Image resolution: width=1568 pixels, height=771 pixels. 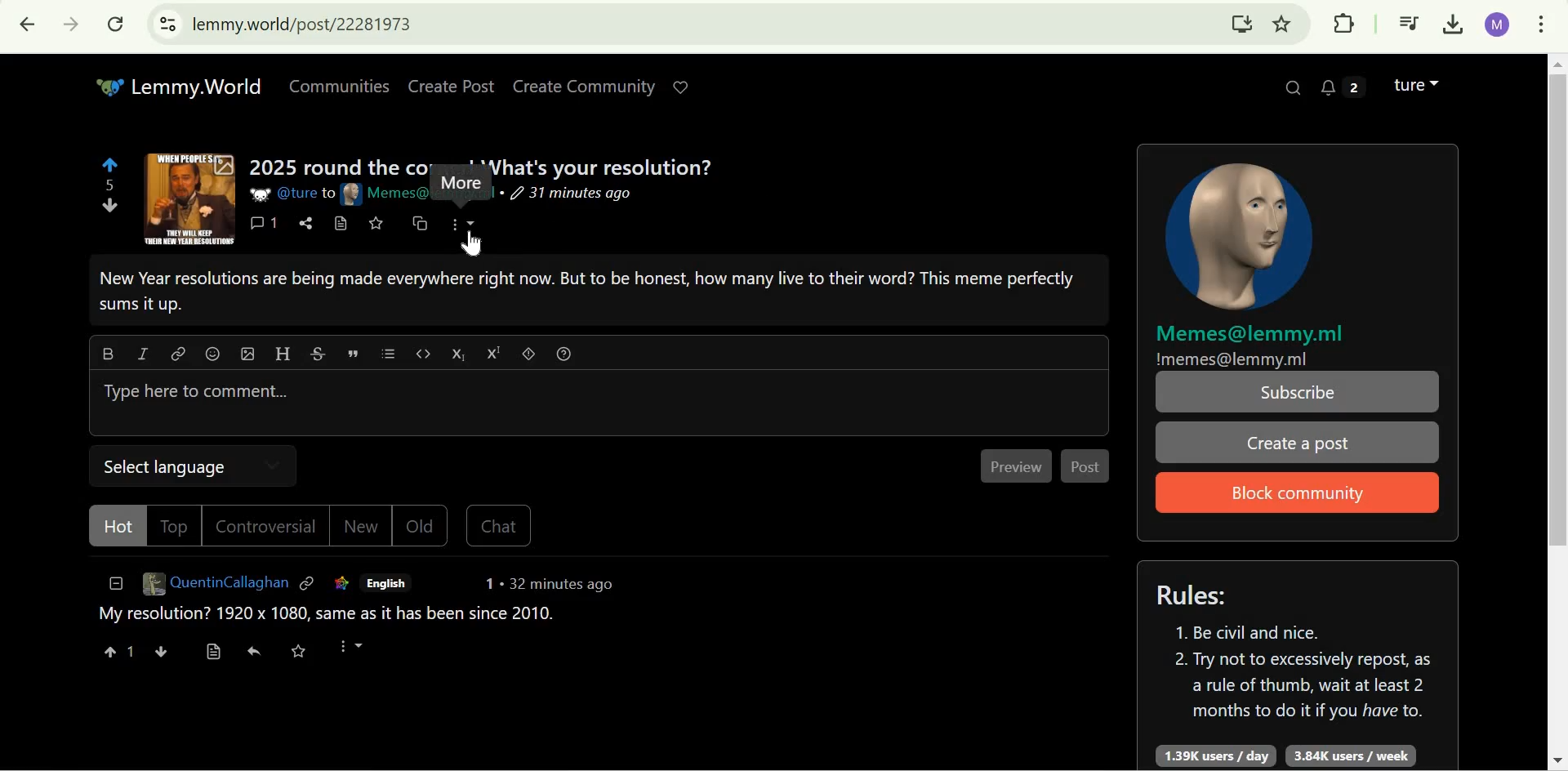 I want to click on 1 upvote, so click(x=119, y=651).